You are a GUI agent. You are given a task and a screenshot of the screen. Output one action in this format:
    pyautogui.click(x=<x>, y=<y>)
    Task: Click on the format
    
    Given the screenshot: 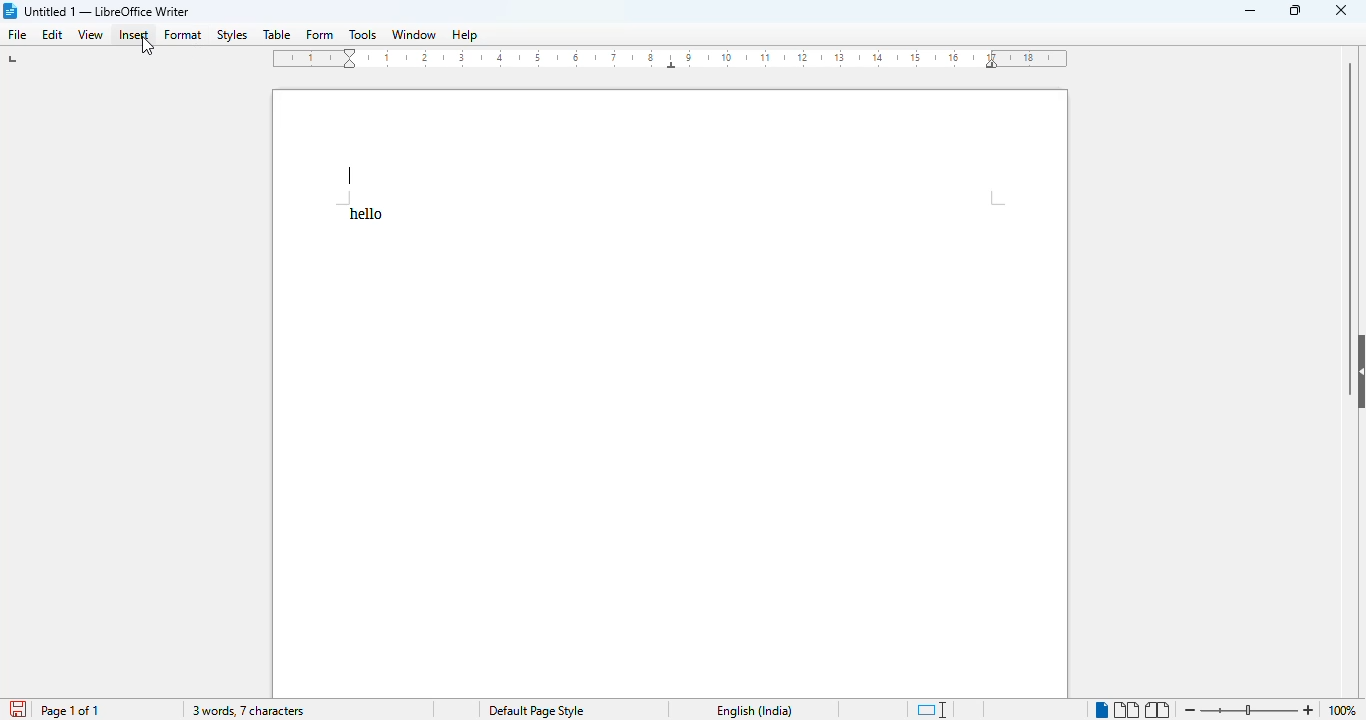 What is the action you would take?
    pyautogui.click(x=184, y=35)
    